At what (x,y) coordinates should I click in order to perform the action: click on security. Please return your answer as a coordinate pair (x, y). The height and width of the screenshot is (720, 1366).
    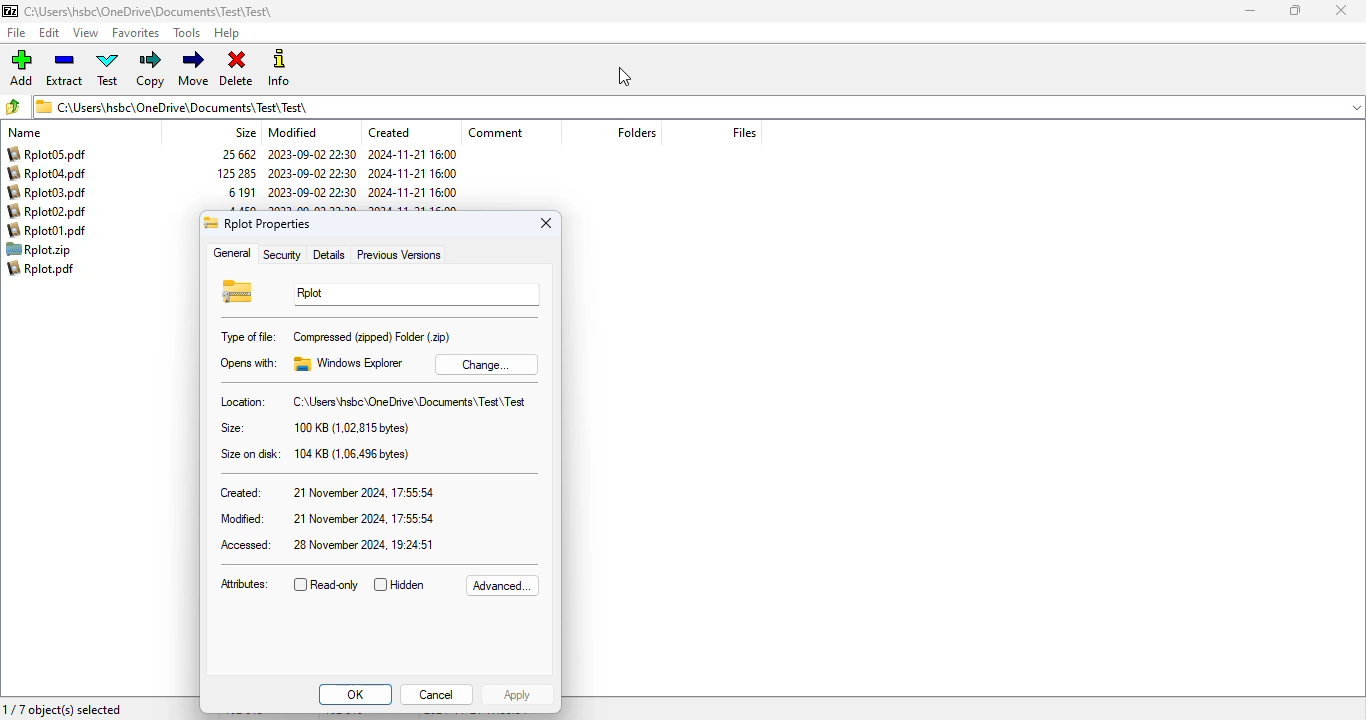
    Looking at the image, I should click on (282, 255).